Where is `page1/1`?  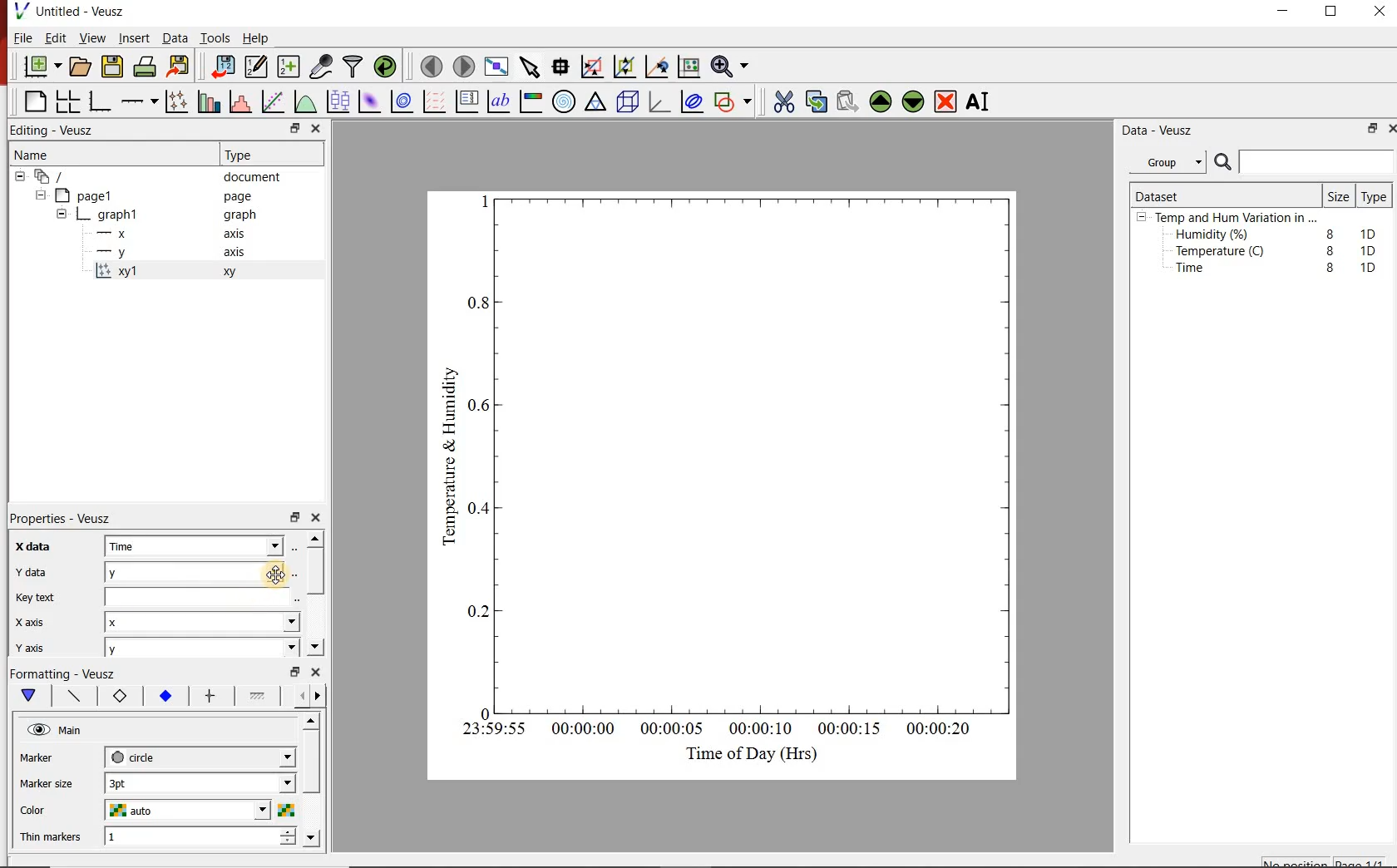
page1/1 is located at coordinates (1365, 861).